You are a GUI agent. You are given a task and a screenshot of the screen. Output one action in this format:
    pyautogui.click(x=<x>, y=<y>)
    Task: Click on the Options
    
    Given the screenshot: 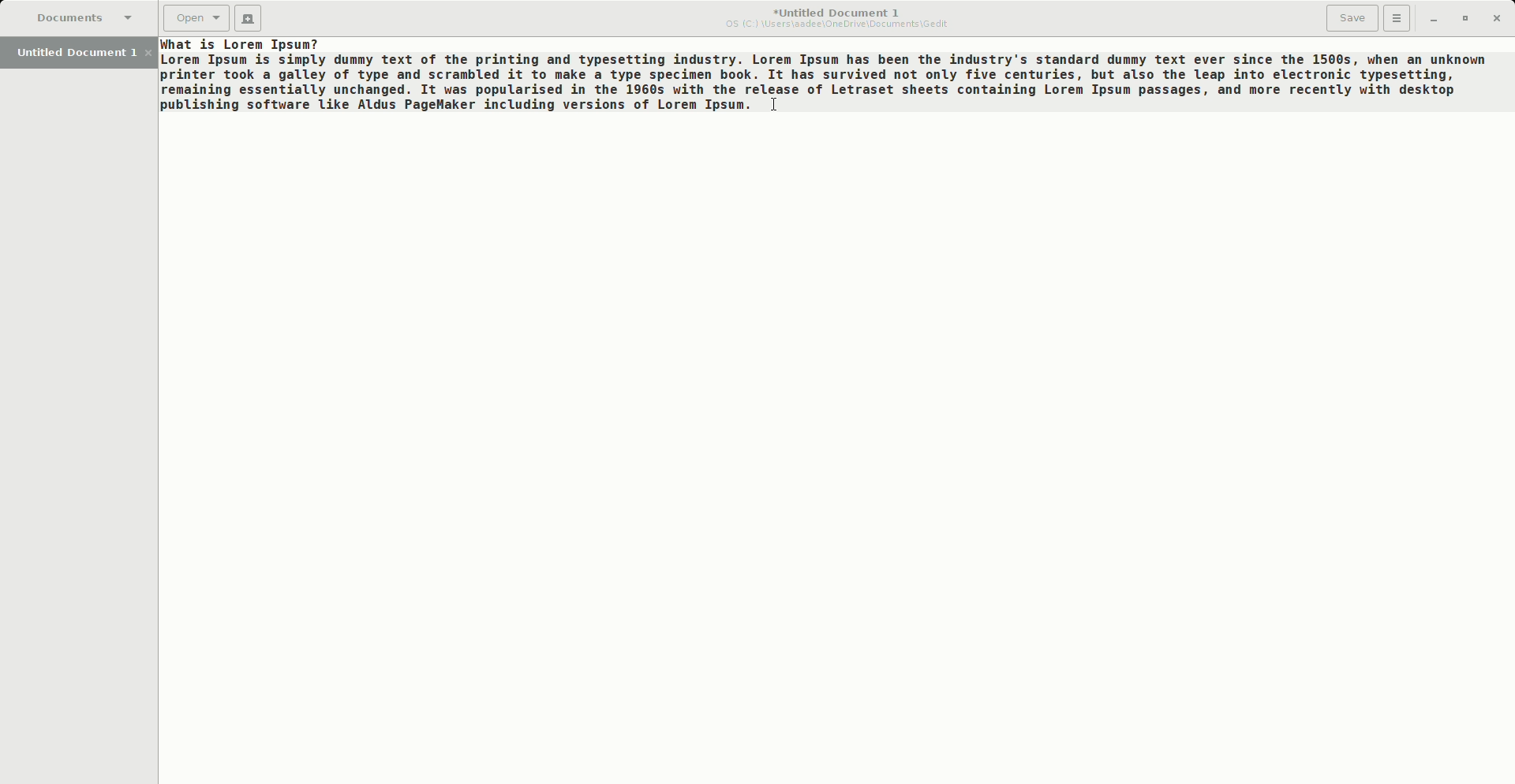 What is the action you would take?
    pyautogui.click(x=1397, y=17)
    